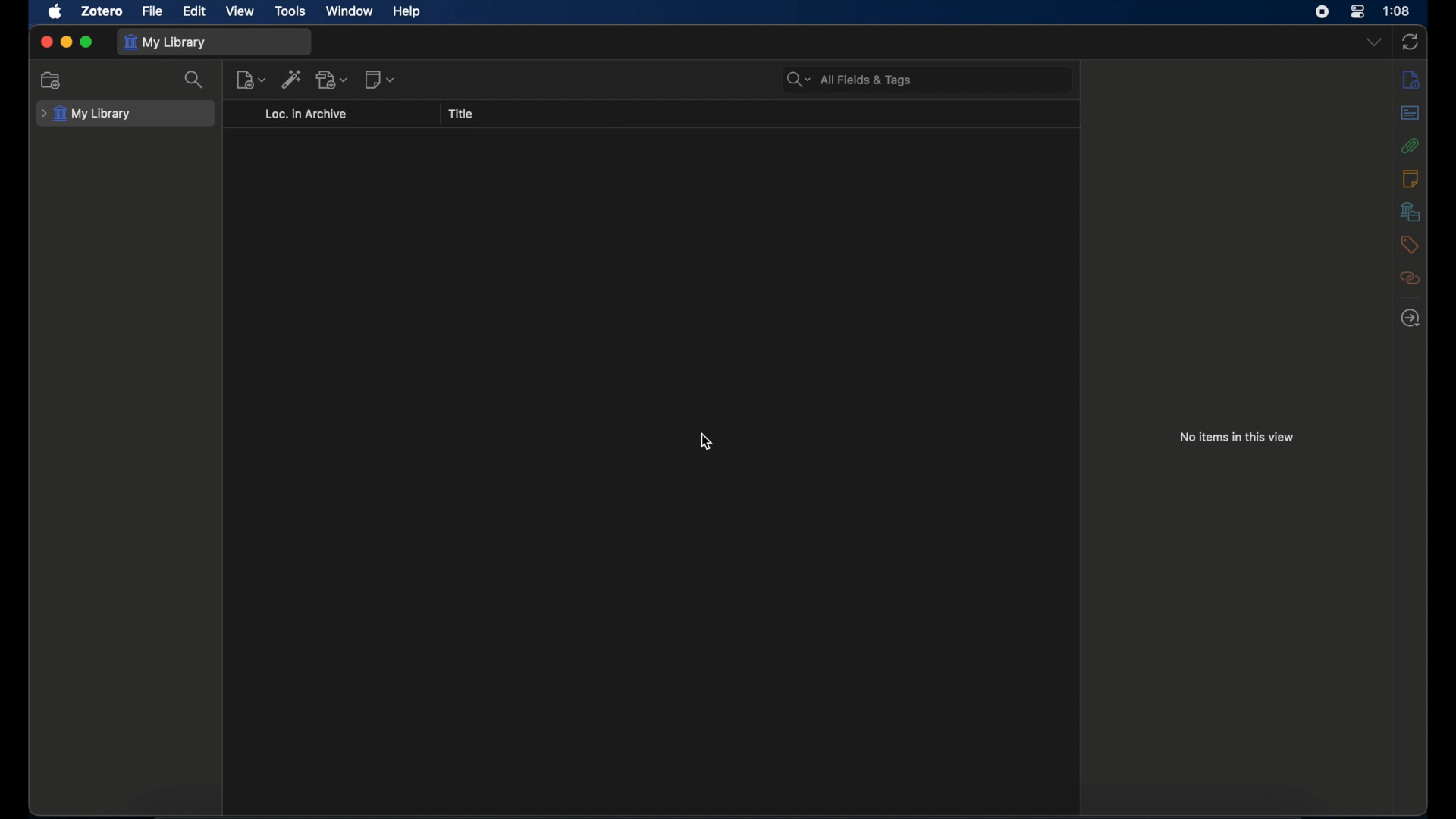 The image size is (1456, 819). I want to click on time, so click(1397, 11).